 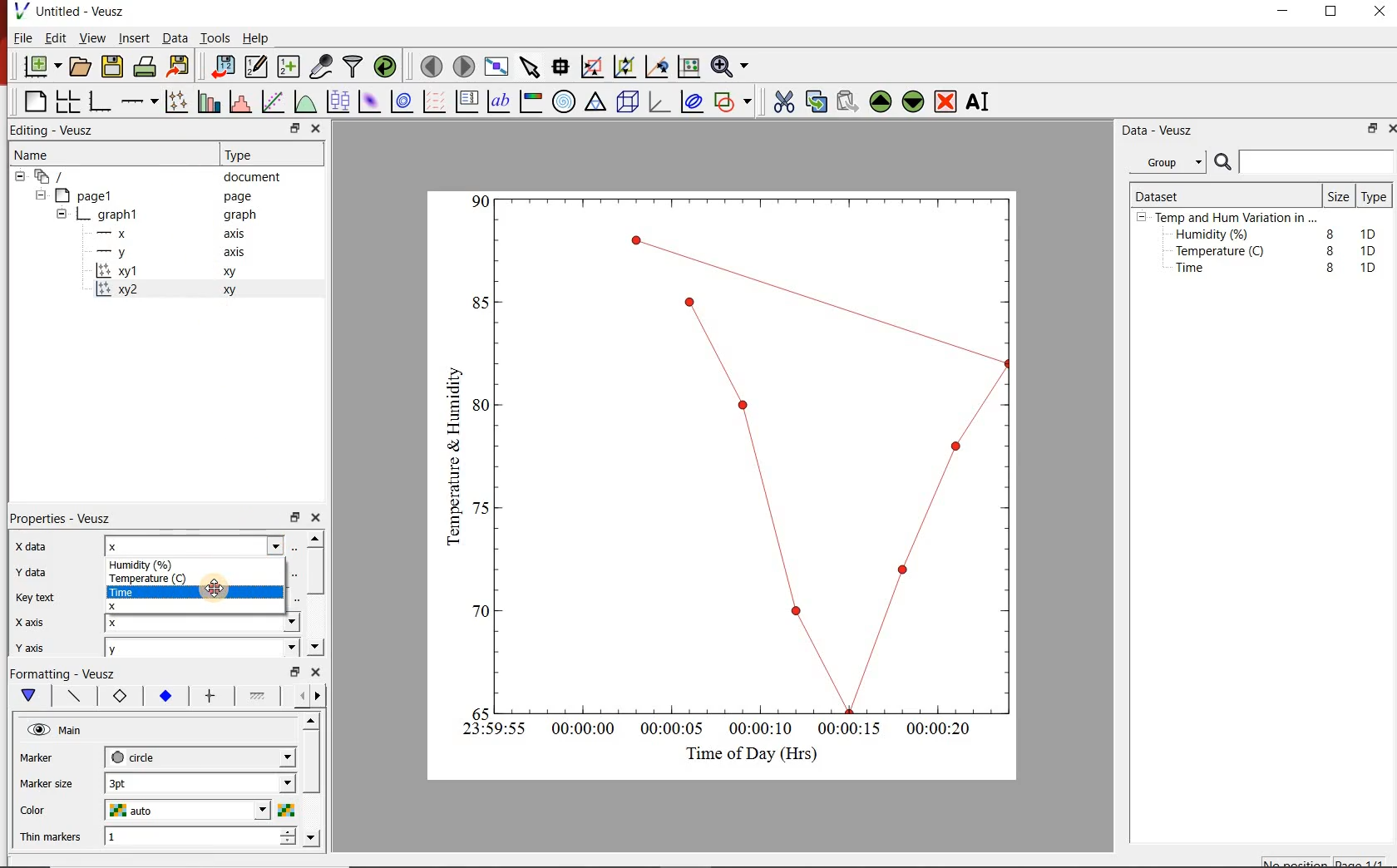 I want to click on xy2, so click(x=122, y=289).